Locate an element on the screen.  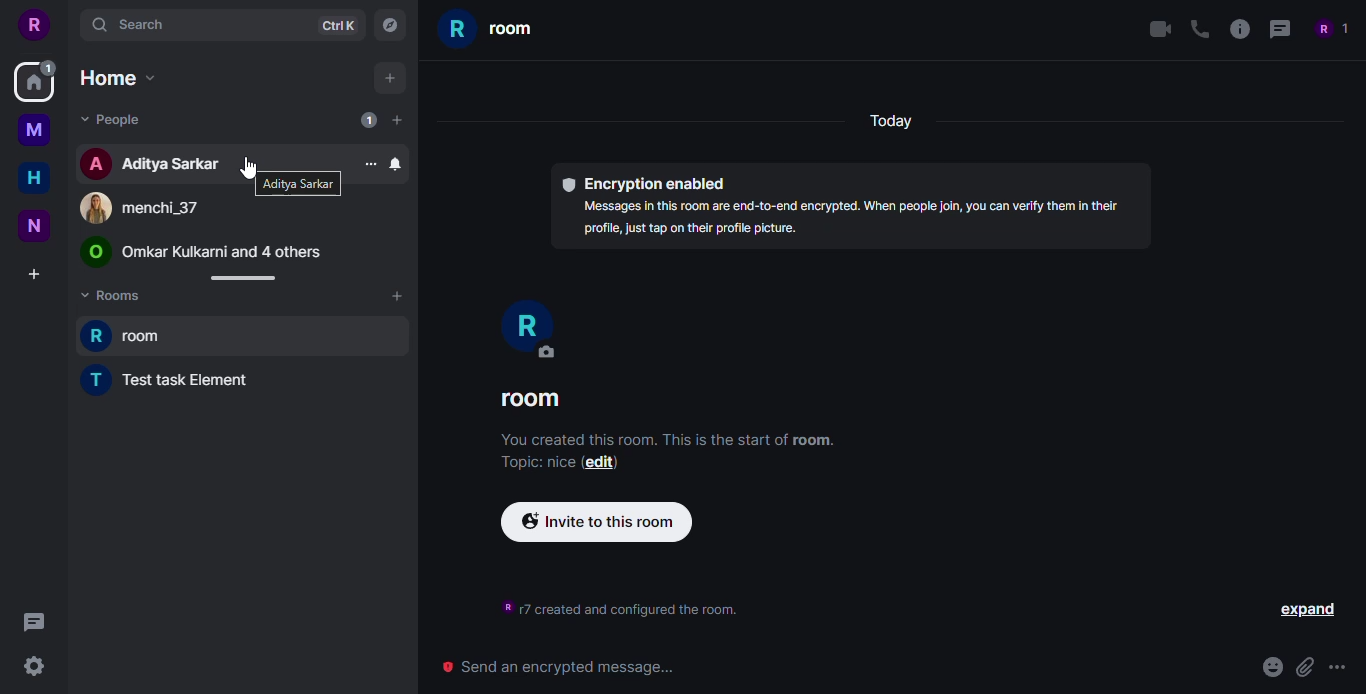
adjust is located at coordinates (239, 278).